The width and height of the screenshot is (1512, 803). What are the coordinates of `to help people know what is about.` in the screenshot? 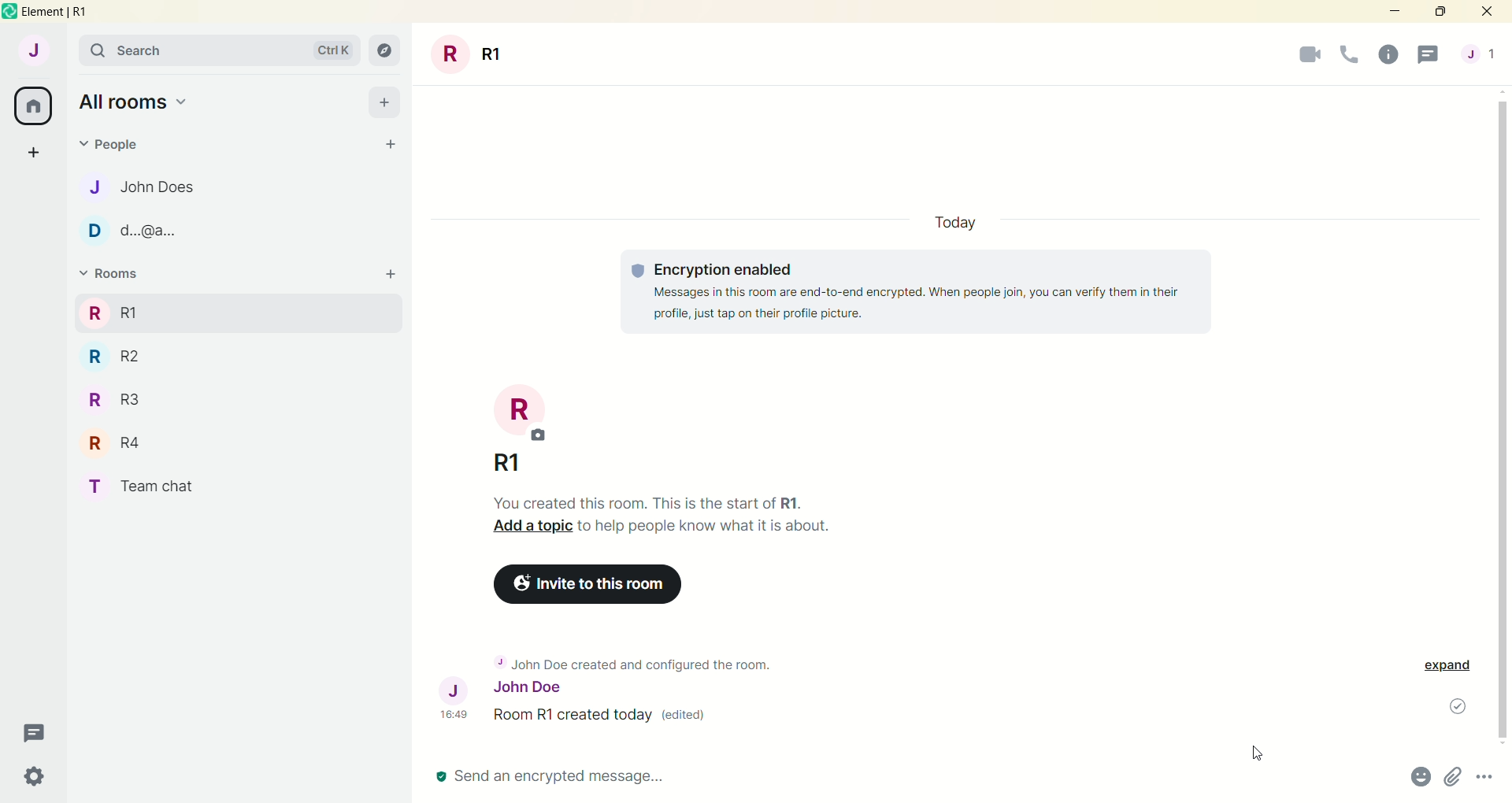 It's located at (708, 529).